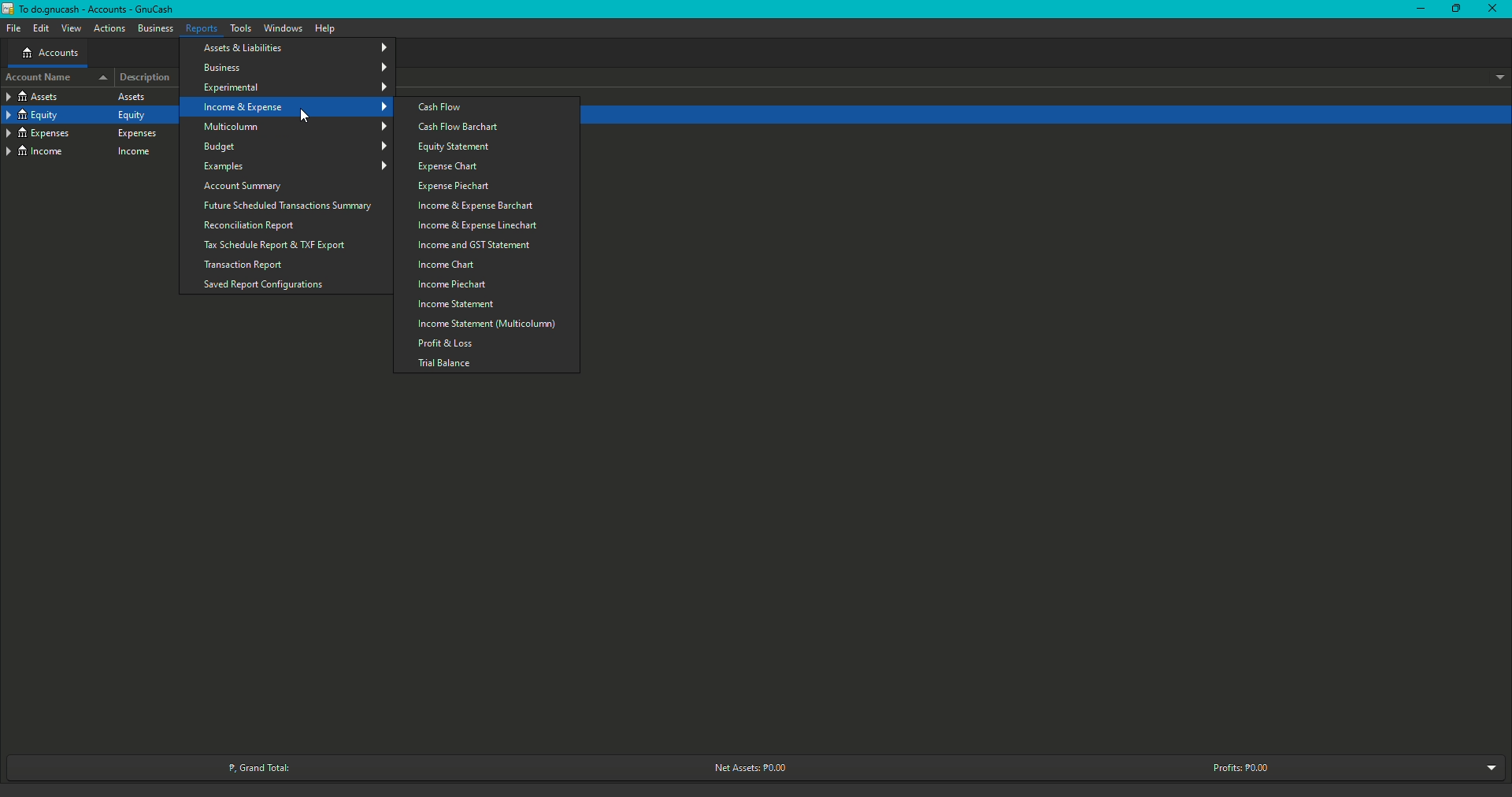 The height and width of the screenshot is (797, 1512). I want to click on cursor, so click(306, 113).